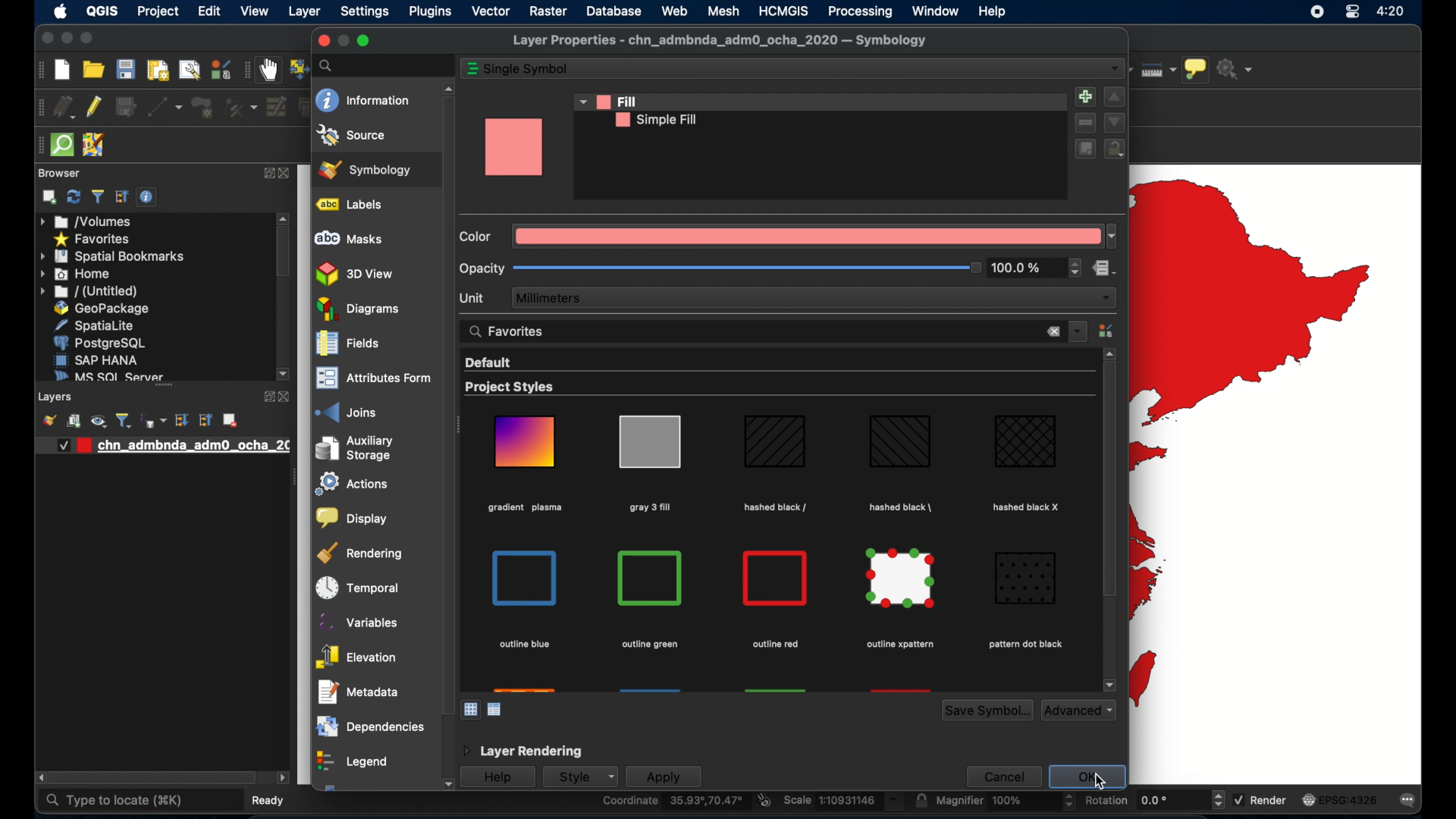 The image size is (1456, 819). I want to click on icon view, so click(471, 708).